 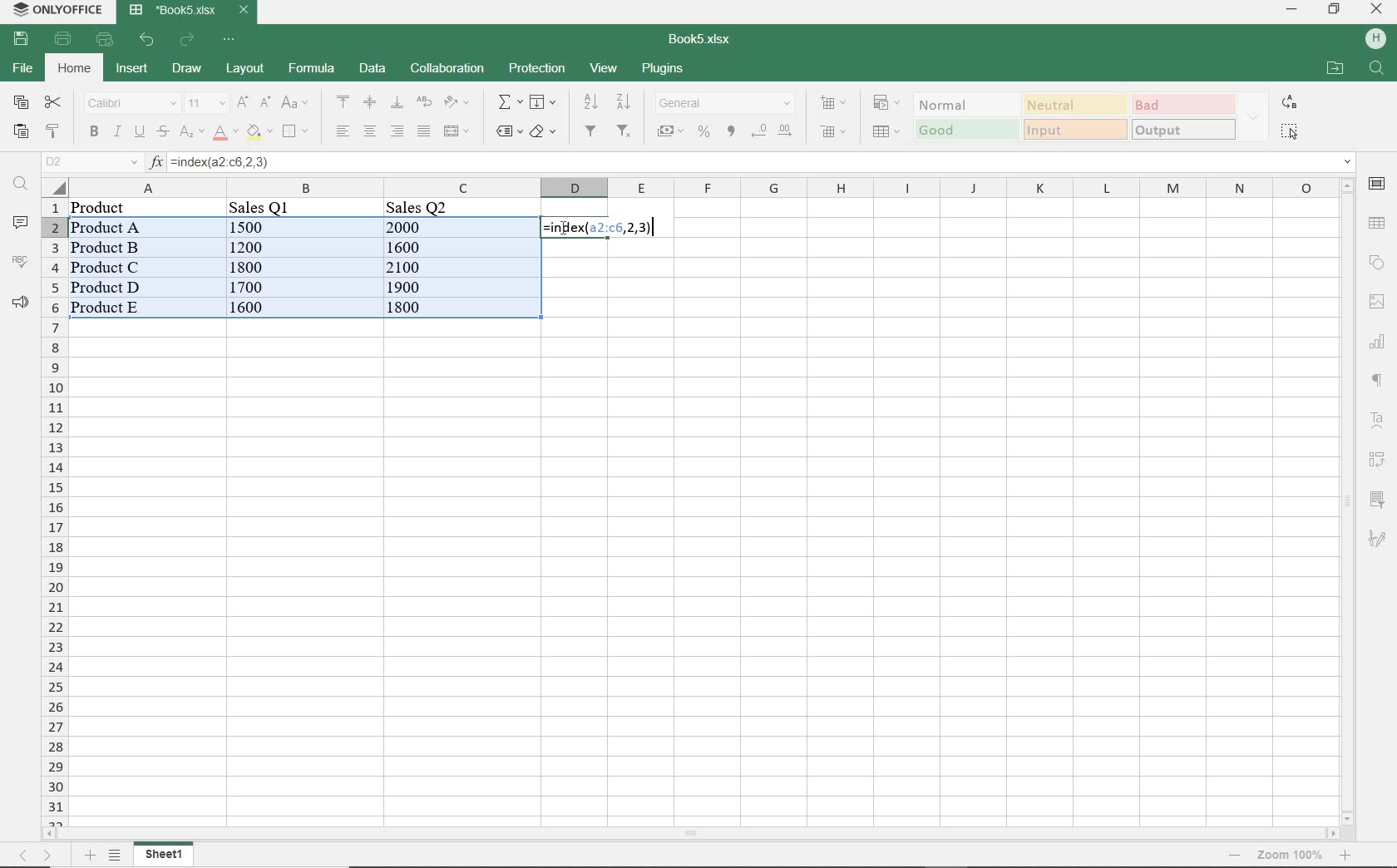 I want to click on formula, so click(x=601, y=228).